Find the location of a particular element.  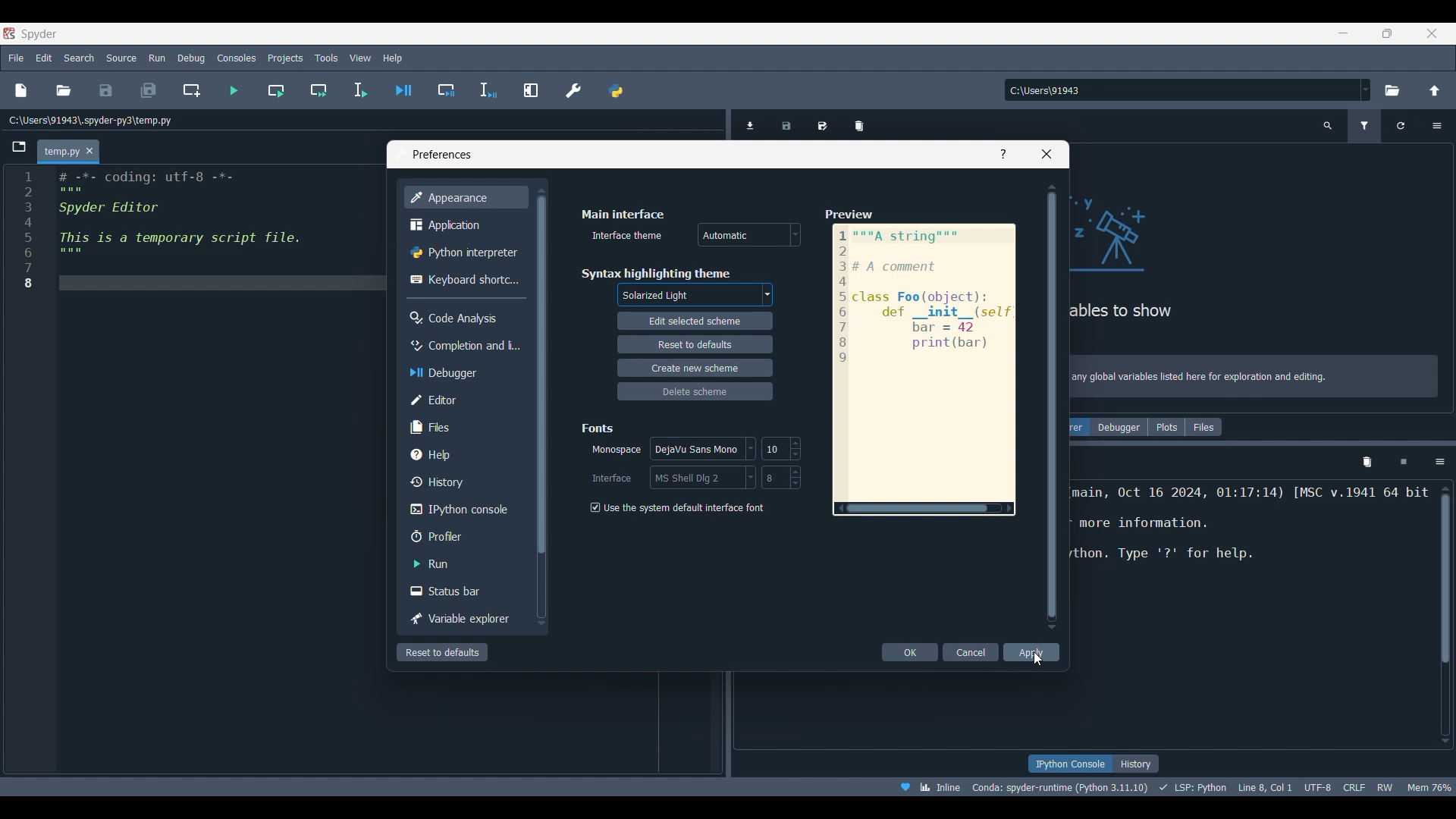

Reset to defaults is located at coordinates (442, 652).